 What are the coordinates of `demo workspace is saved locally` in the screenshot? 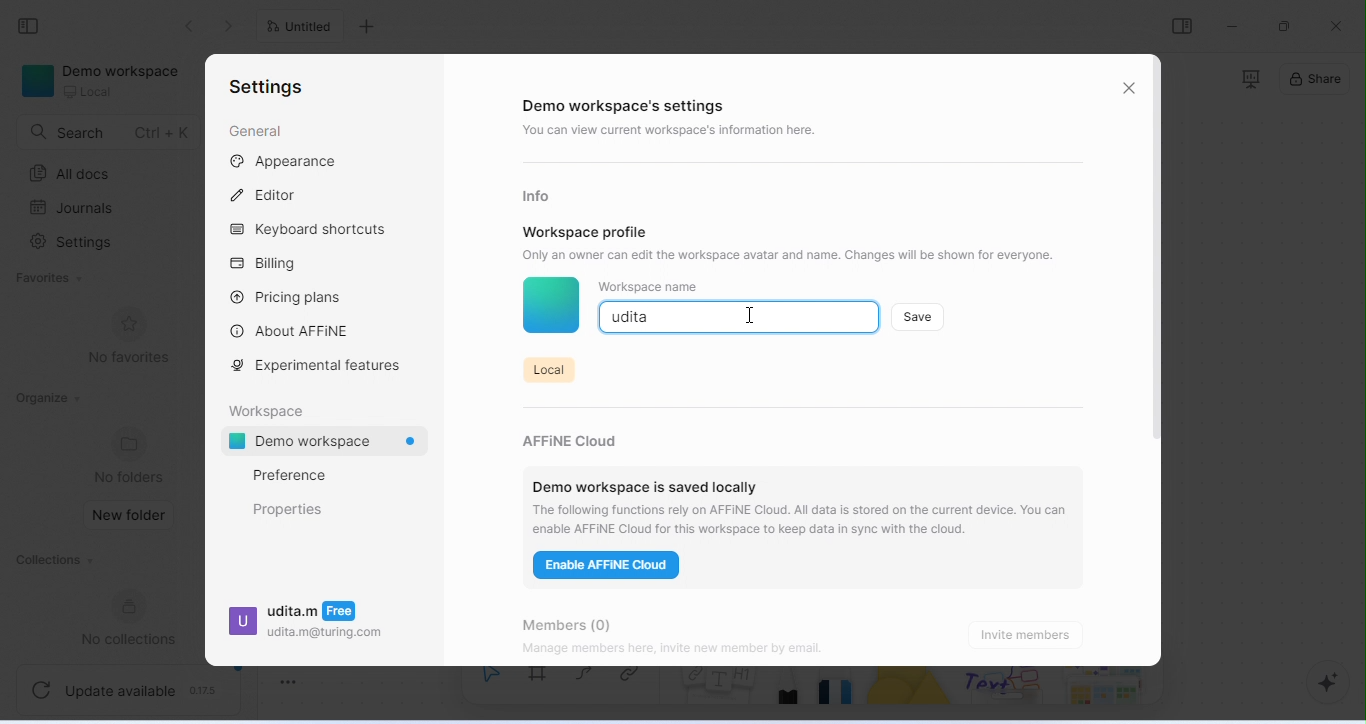 It's located at (645, 481).